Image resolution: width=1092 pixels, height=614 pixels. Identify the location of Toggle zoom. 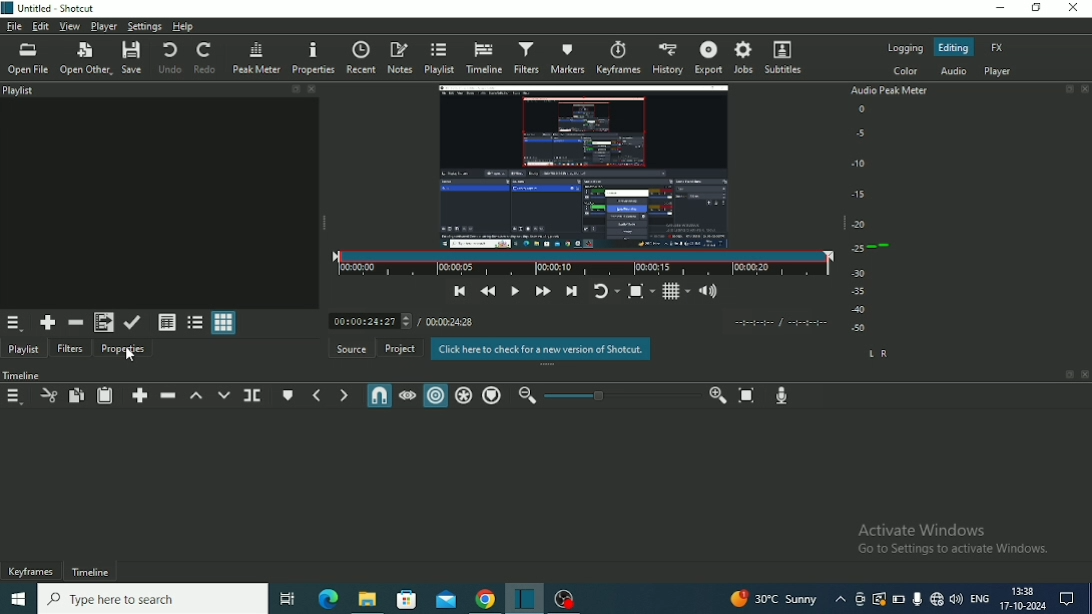
(641, 292).